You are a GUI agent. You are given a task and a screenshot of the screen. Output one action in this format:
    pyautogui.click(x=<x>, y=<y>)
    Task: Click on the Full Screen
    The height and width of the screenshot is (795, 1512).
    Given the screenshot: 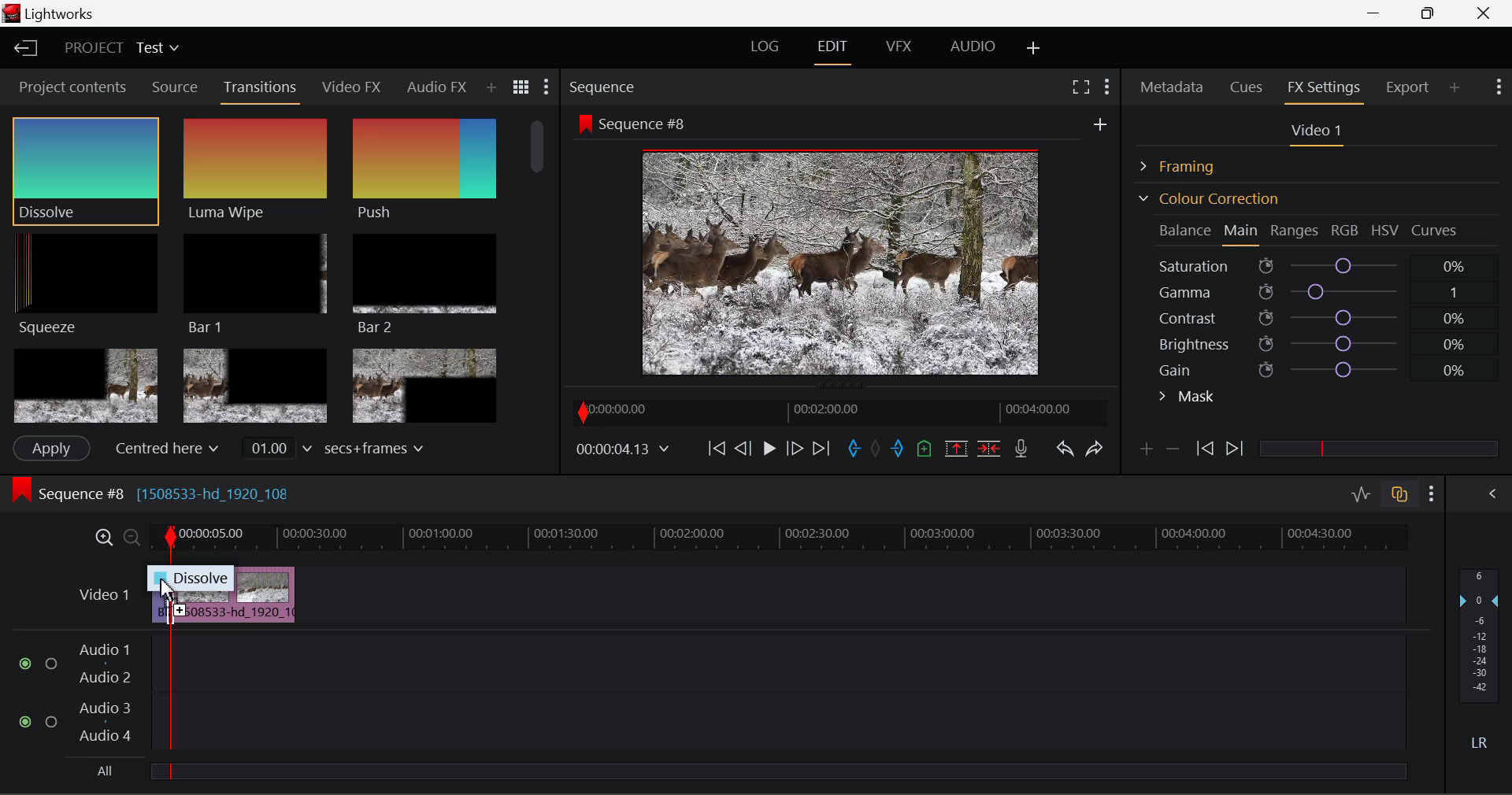 What is the action you would take?
    pyautogui.click(x=1080, y=86)
    